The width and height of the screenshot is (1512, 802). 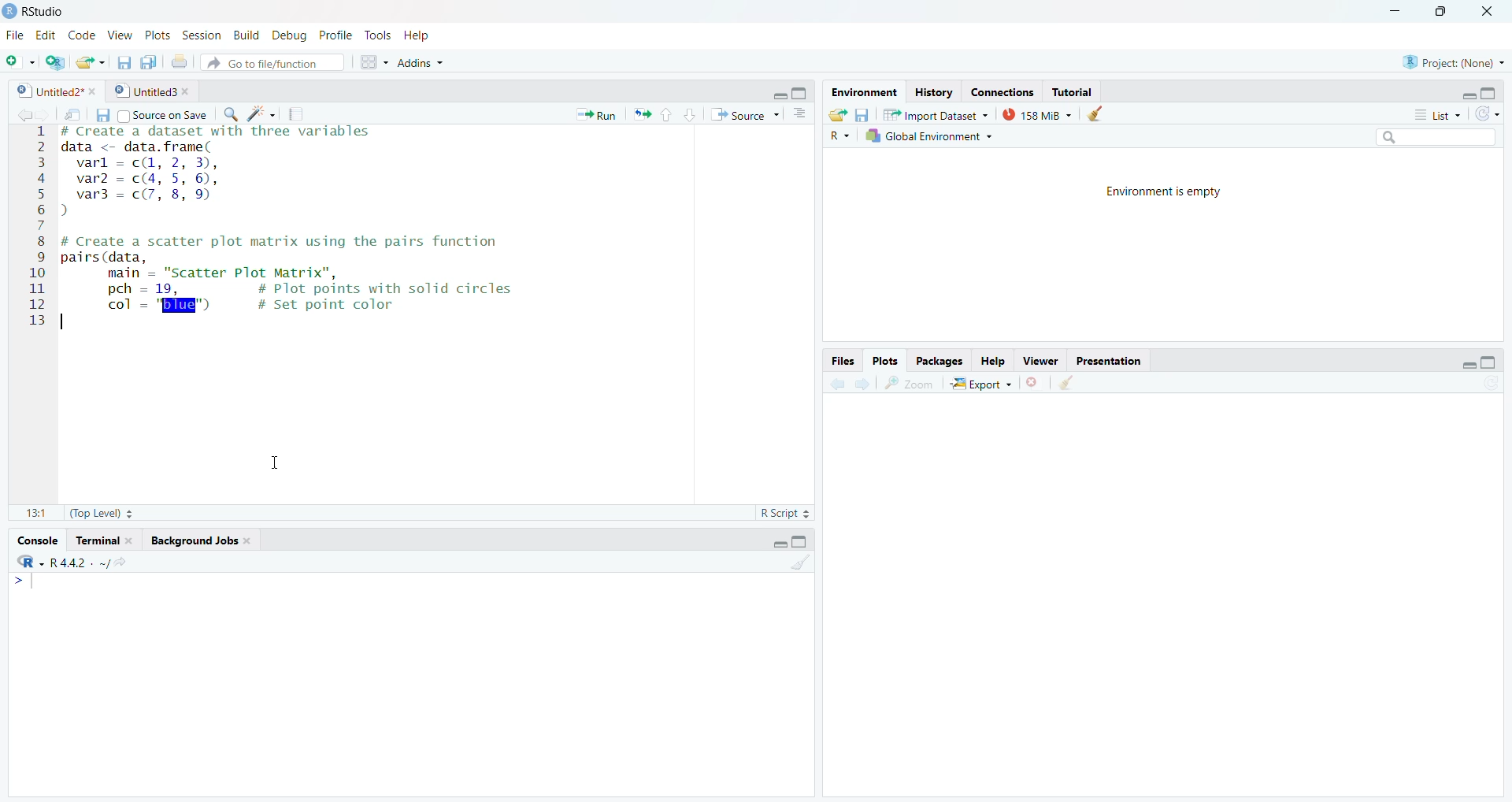 I want to click on Connections, so click(x=999, y=89).